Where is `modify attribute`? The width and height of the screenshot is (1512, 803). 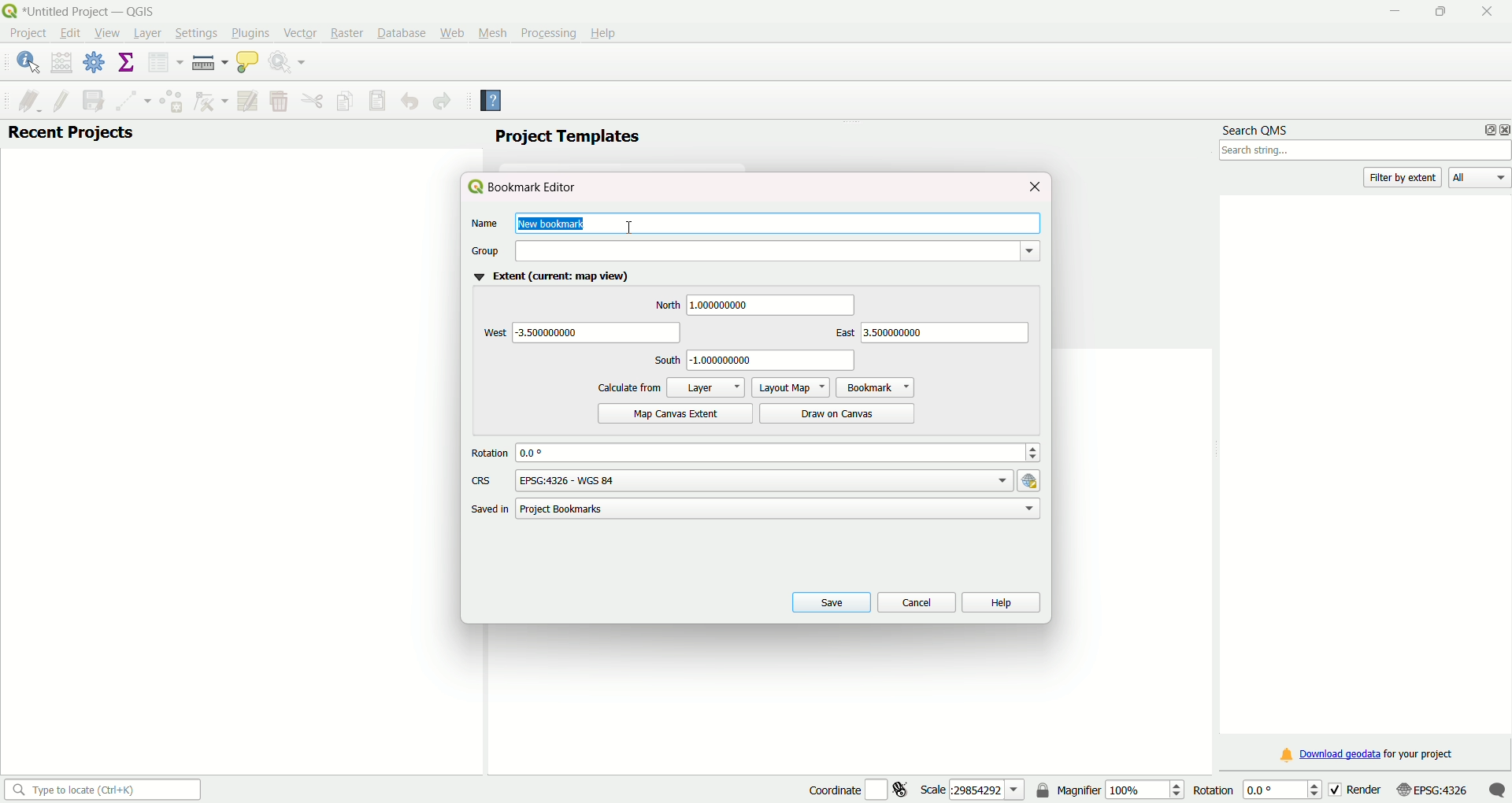
modify attribute is located at coordinates (247, 101).